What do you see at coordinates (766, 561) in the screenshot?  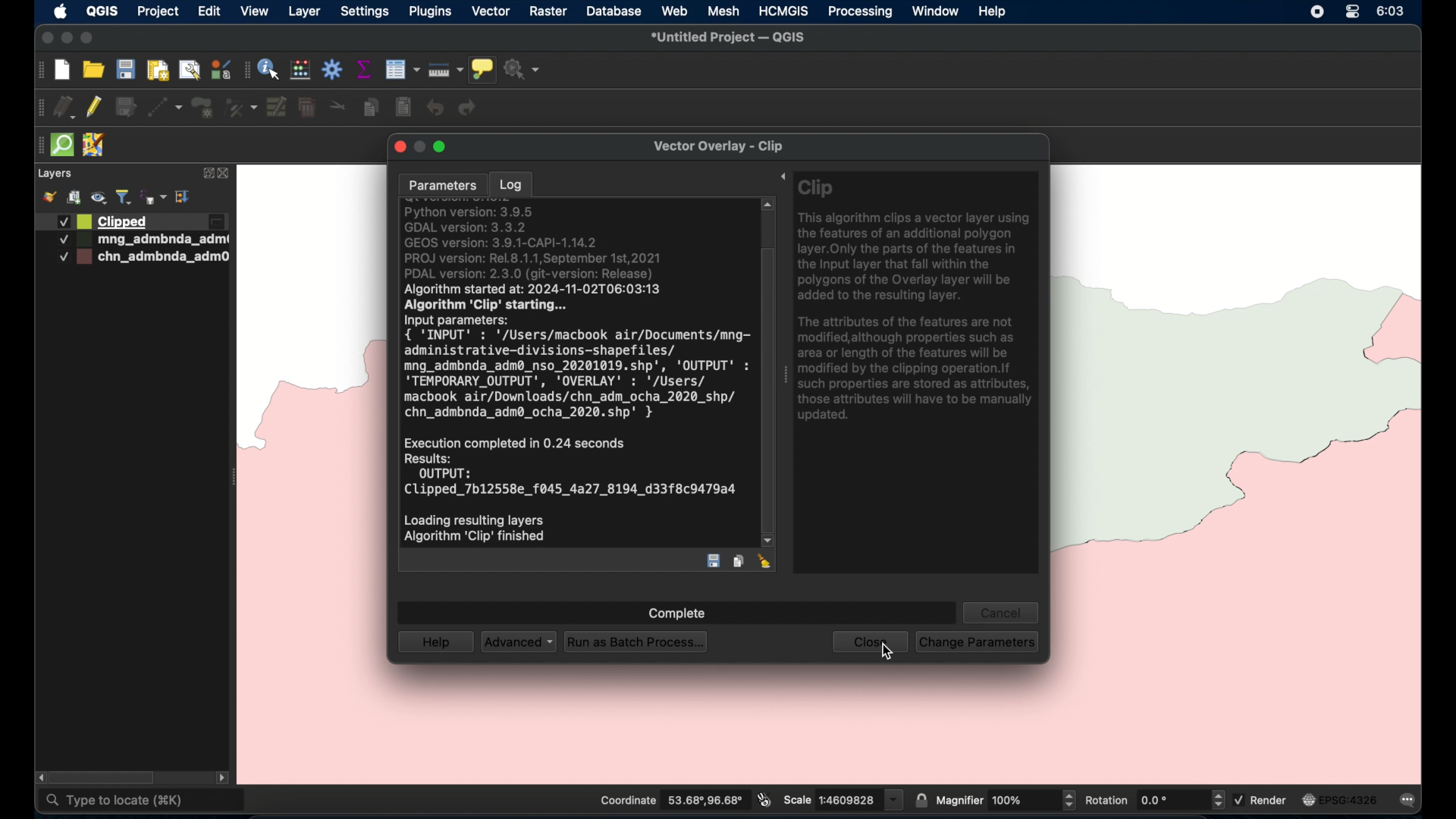 I see `clear entry` at bounding box center [766, 561].